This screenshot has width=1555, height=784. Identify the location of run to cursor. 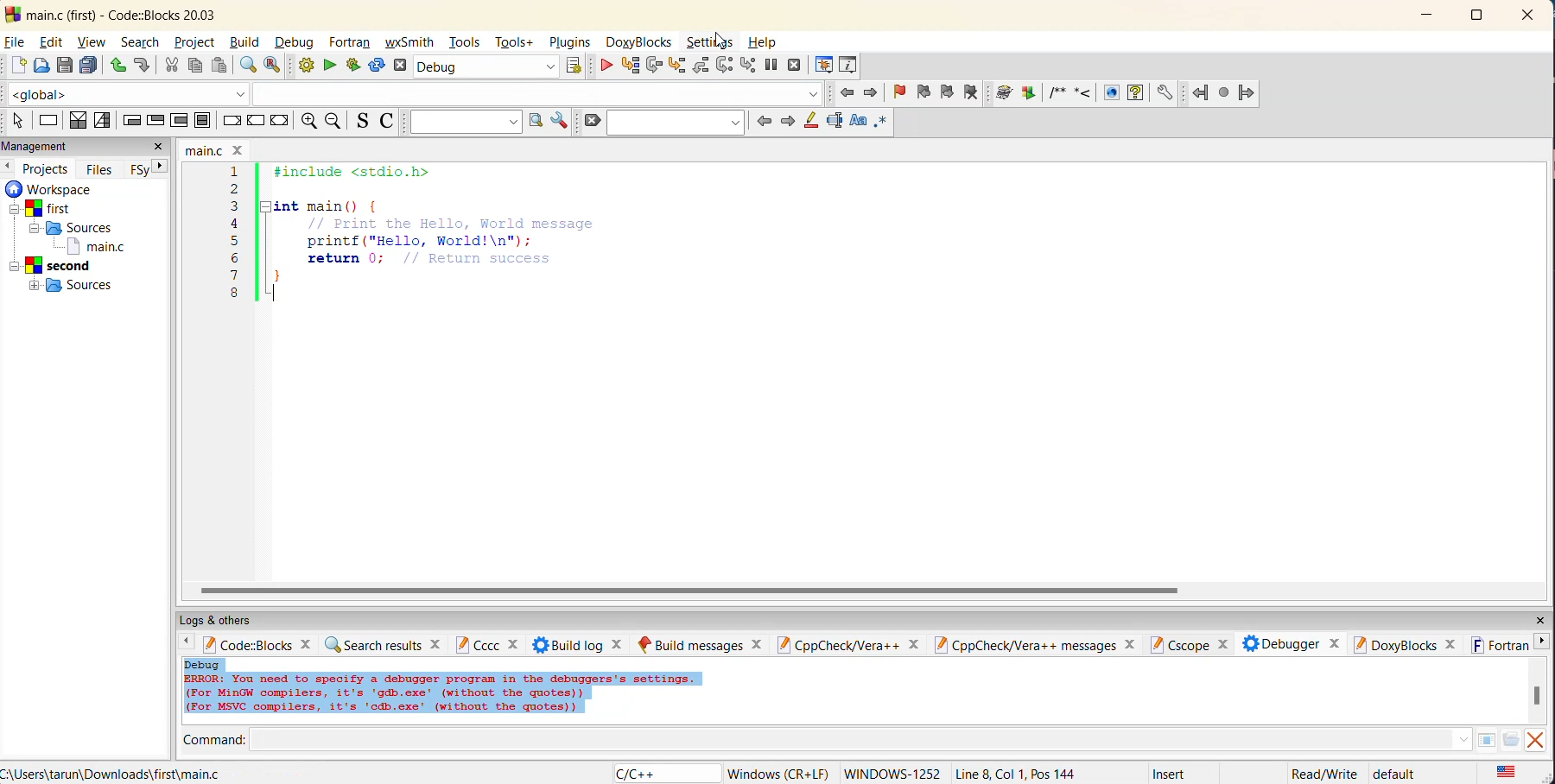
(628, 65).